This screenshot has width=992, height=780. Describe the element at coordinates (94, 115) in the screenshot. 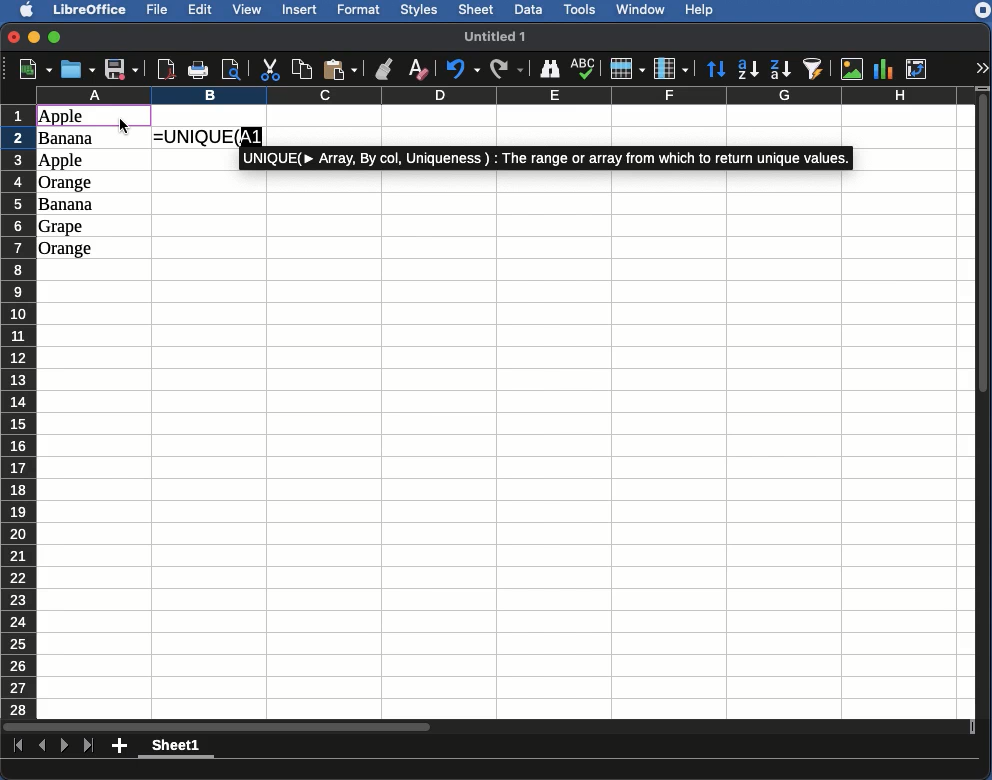

I see `Selected cell` at that location.